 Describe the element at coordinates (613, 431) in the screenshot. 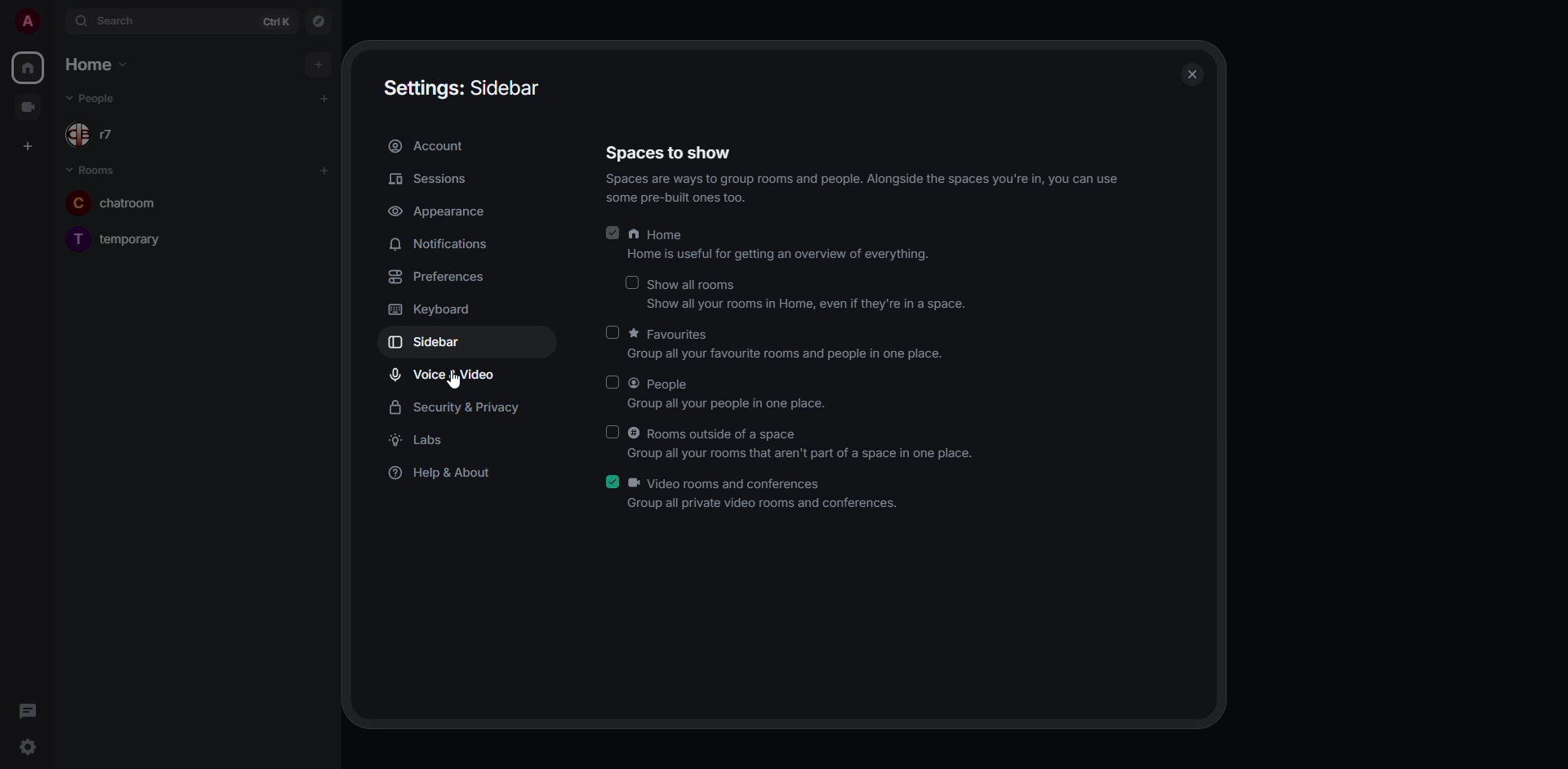

I see `click to enable` at that location.